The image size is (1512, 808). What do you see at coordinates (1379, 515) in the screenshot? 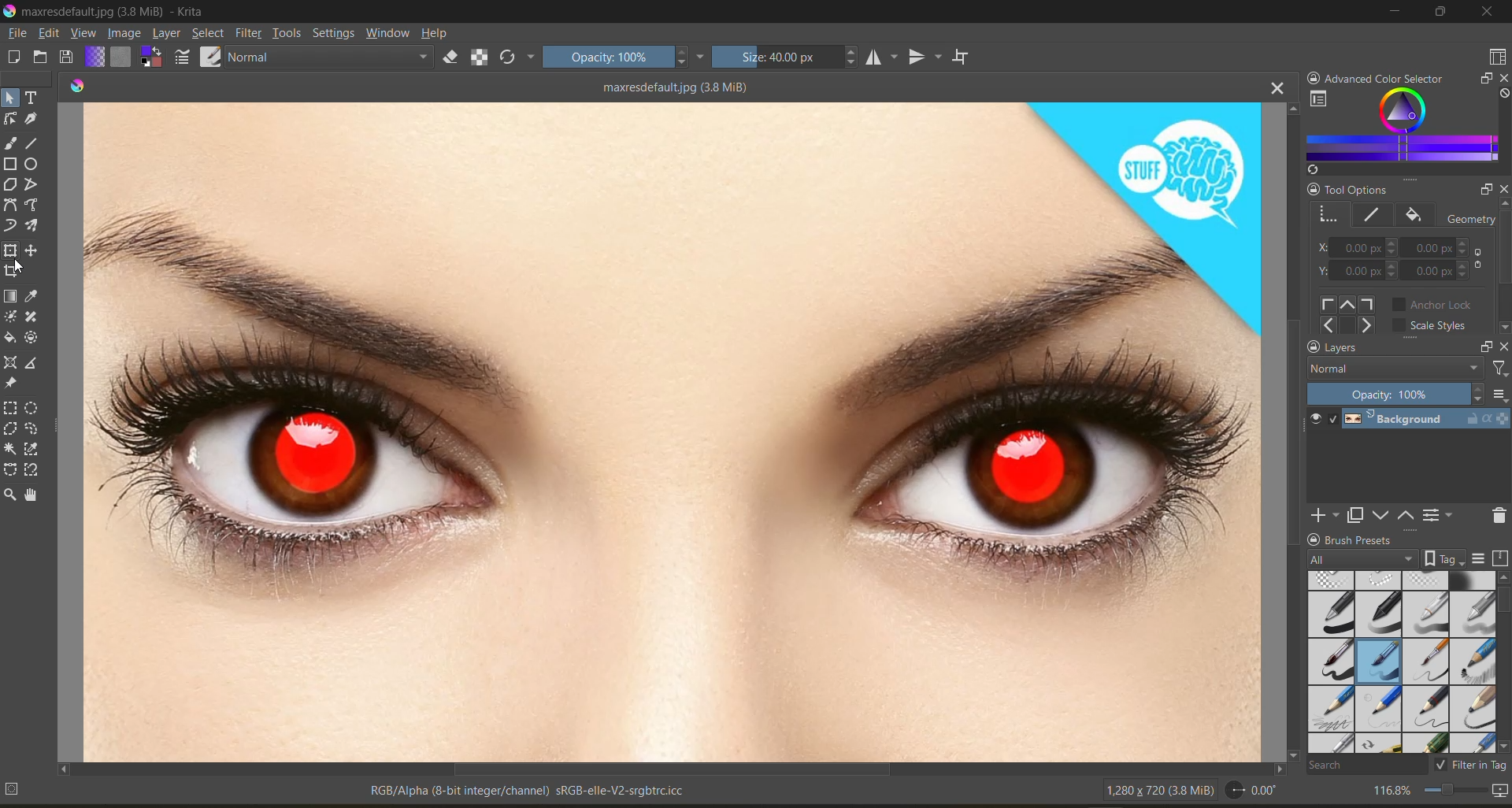
I see `mask down` at bounding box center [1379, 515].